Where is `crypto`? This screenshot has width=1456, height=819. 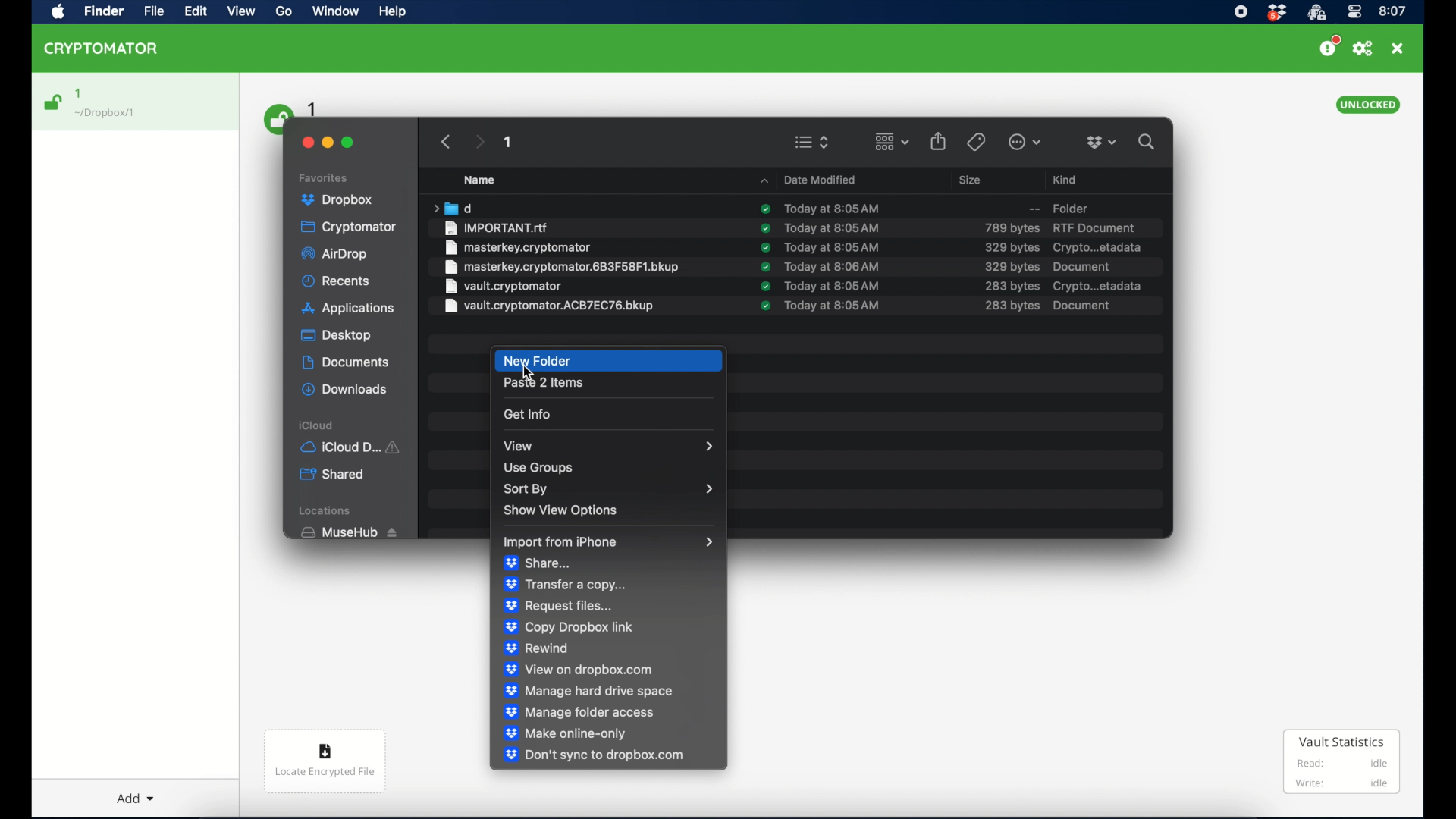
crypto is located at coordinates (1099, 286).